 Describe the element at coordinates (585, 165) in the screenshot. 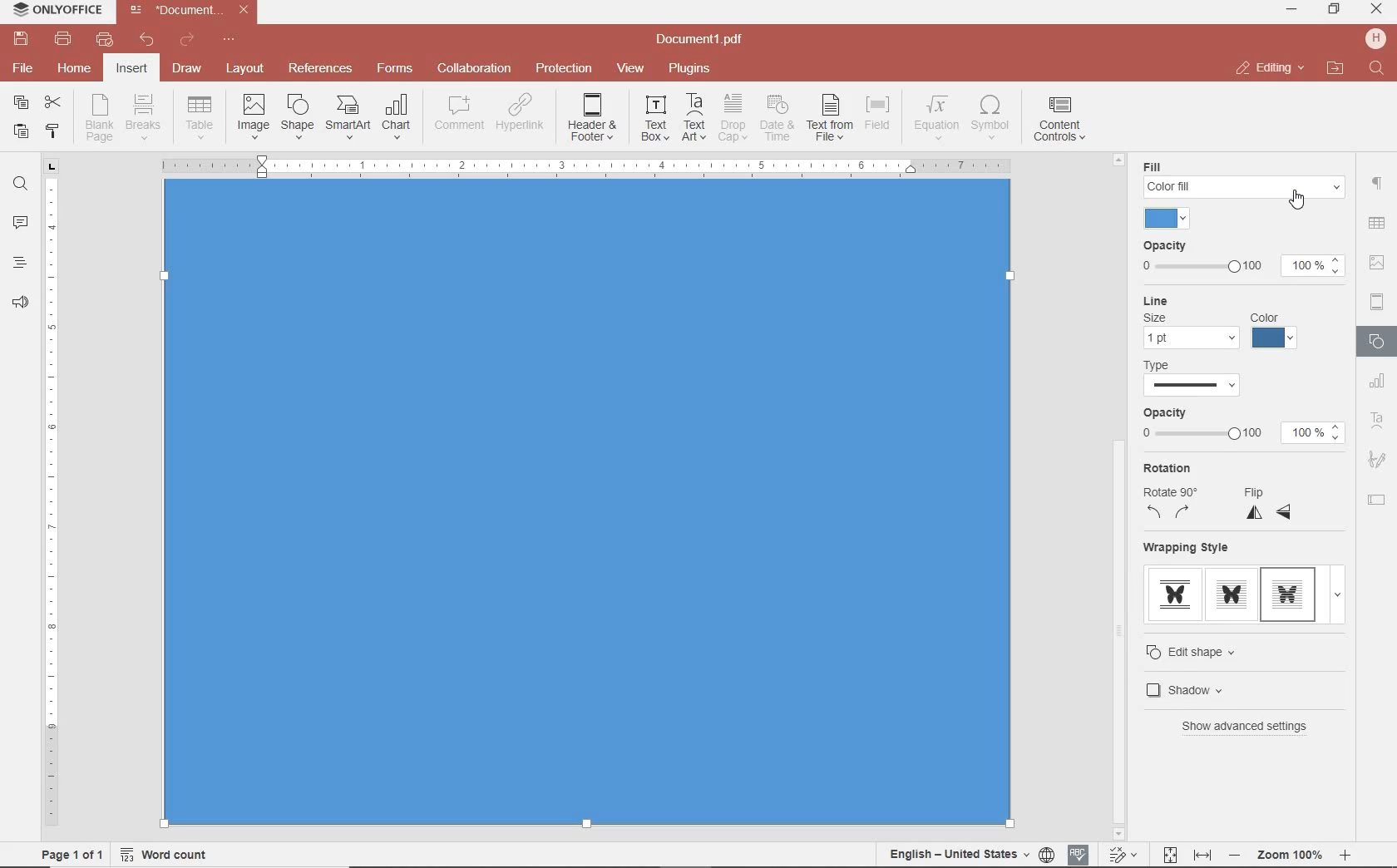

I see `` at that location.